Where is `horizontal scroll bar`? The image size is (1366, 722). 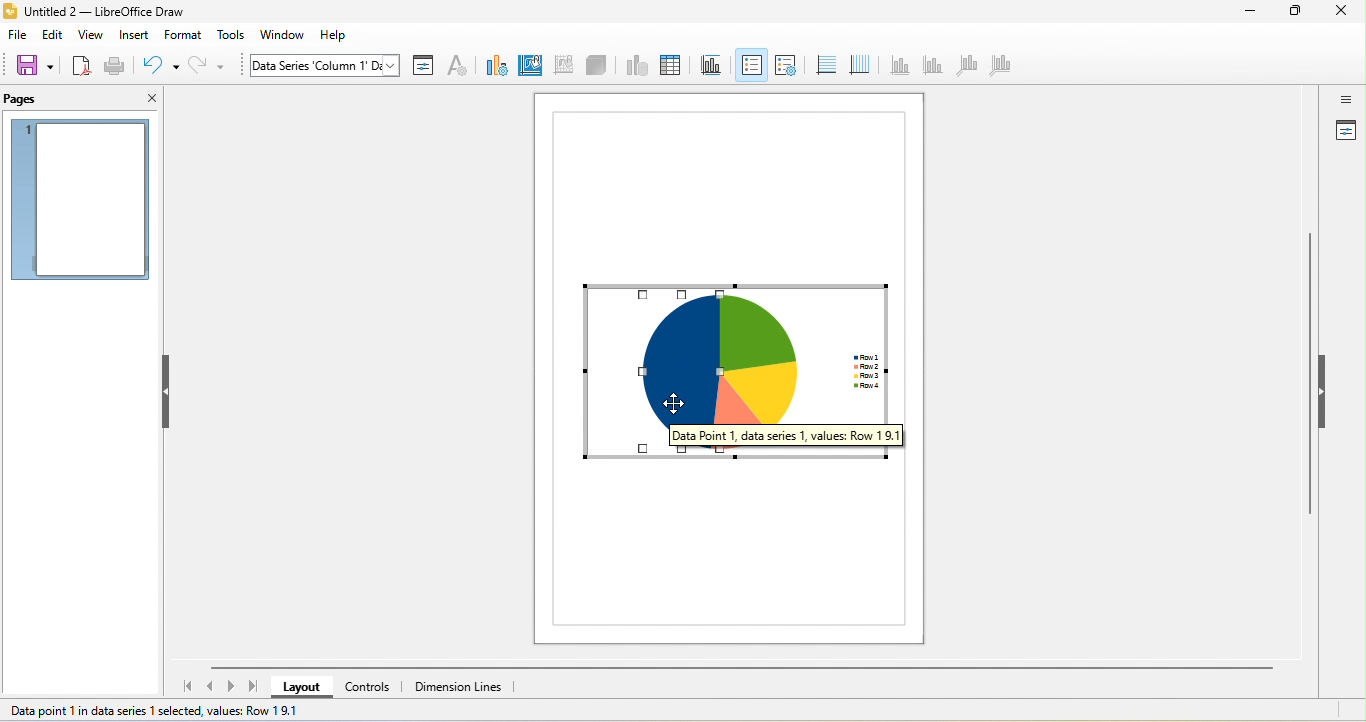 horizontal scroll bar is located at coordinates (739, 668).